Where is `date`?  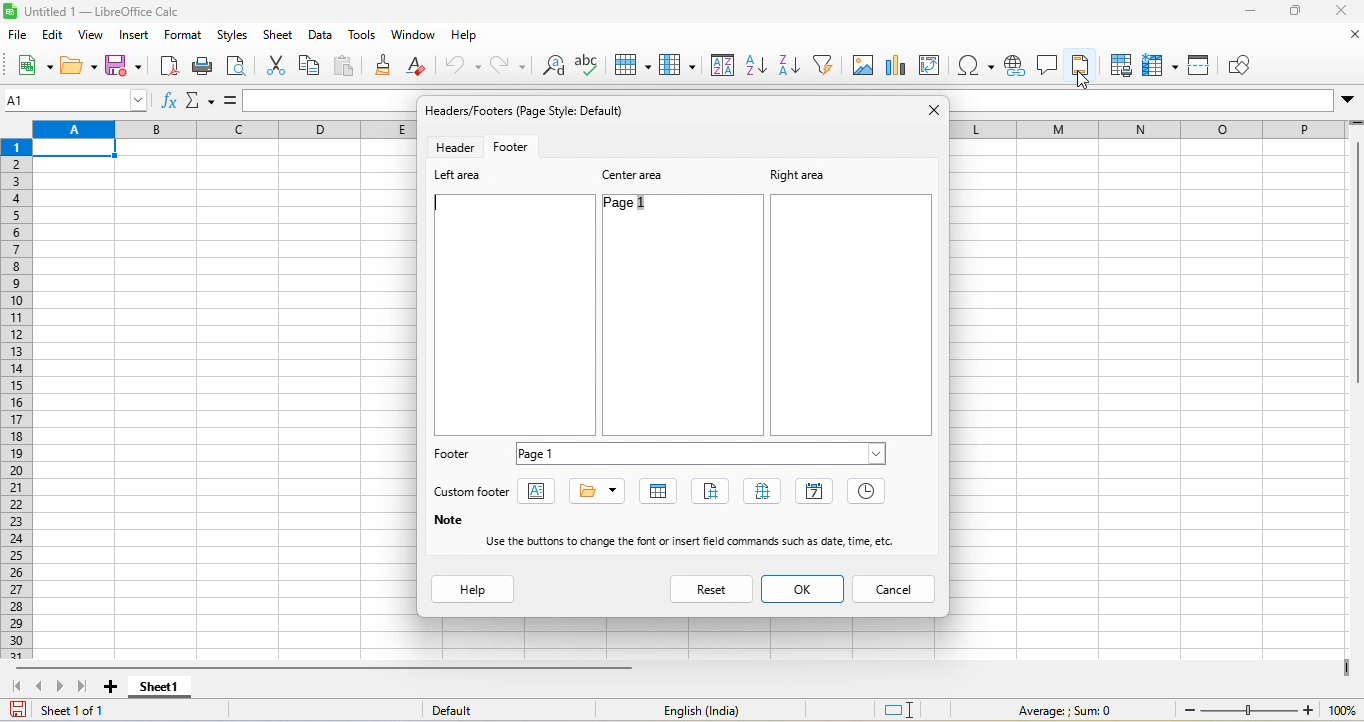 date is located at coordinates (815, 491).